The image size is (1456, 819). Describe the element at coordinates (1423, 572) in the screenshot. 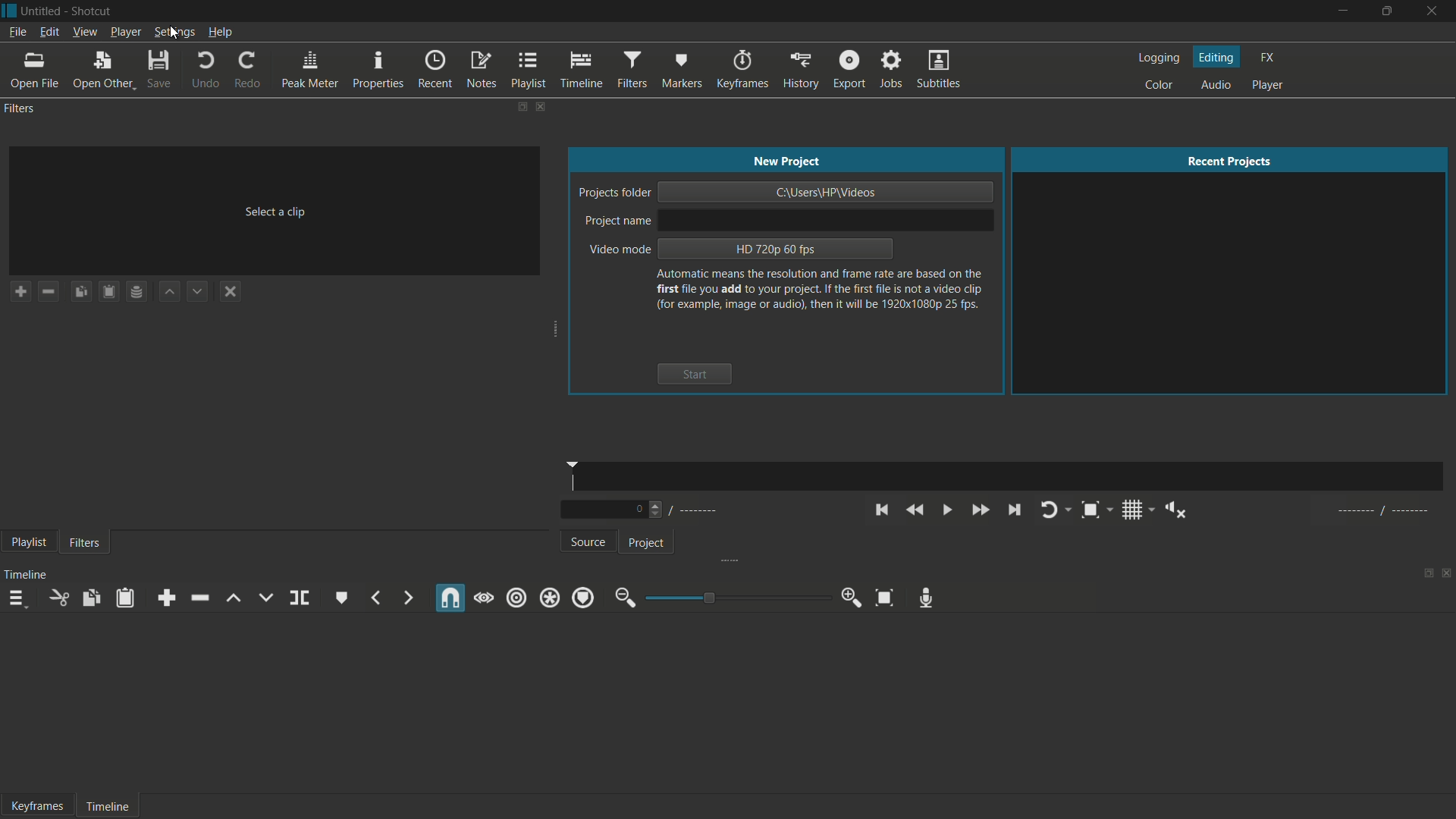

I see `change layout` at that location.